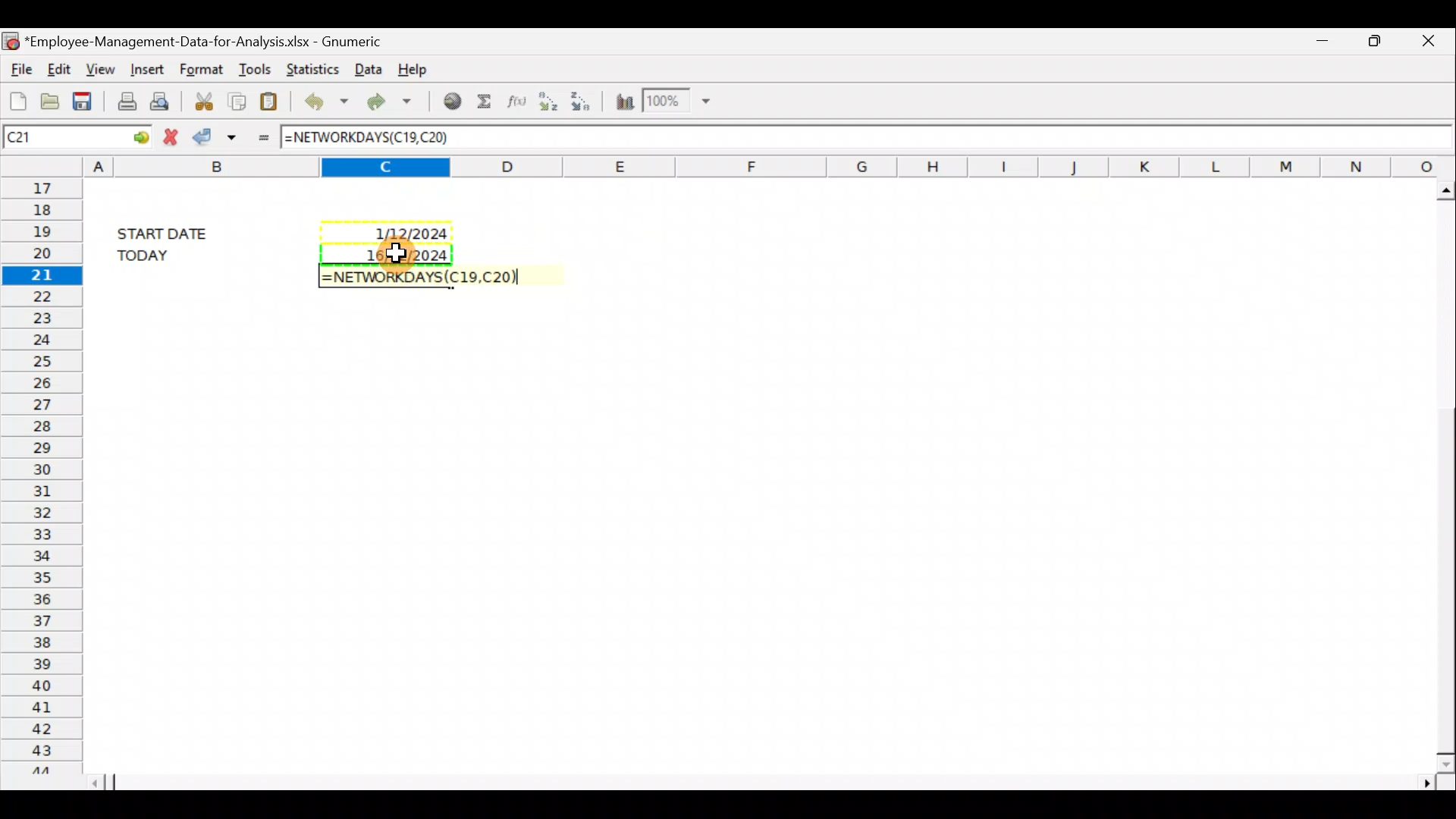  I want to click on Cursor on cell C20, so click(400, 256).